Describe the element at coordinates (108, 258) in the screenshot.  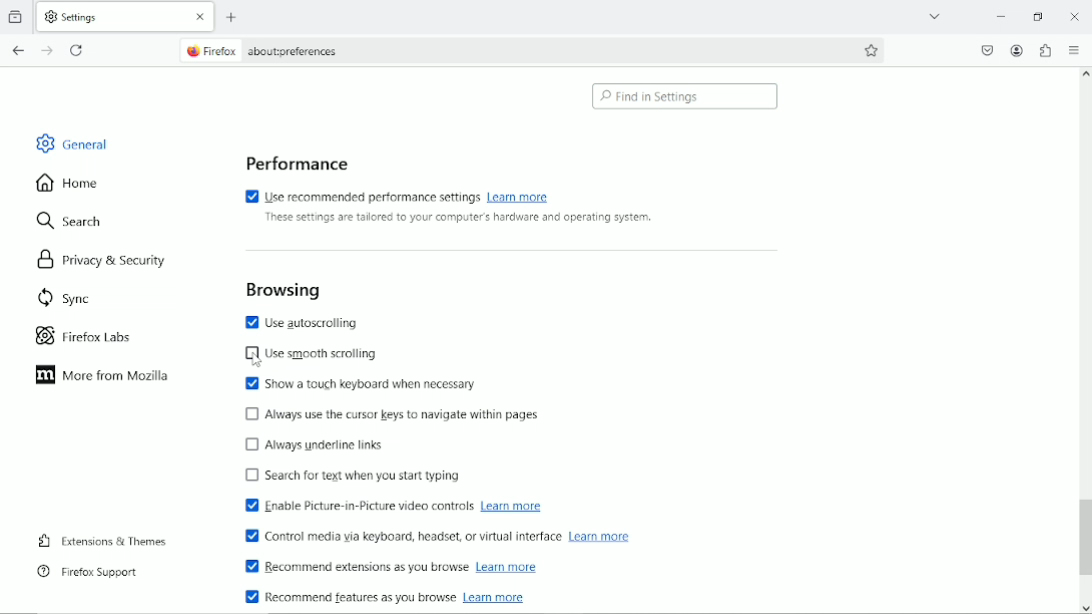
I see `Privacy & security` at that location.